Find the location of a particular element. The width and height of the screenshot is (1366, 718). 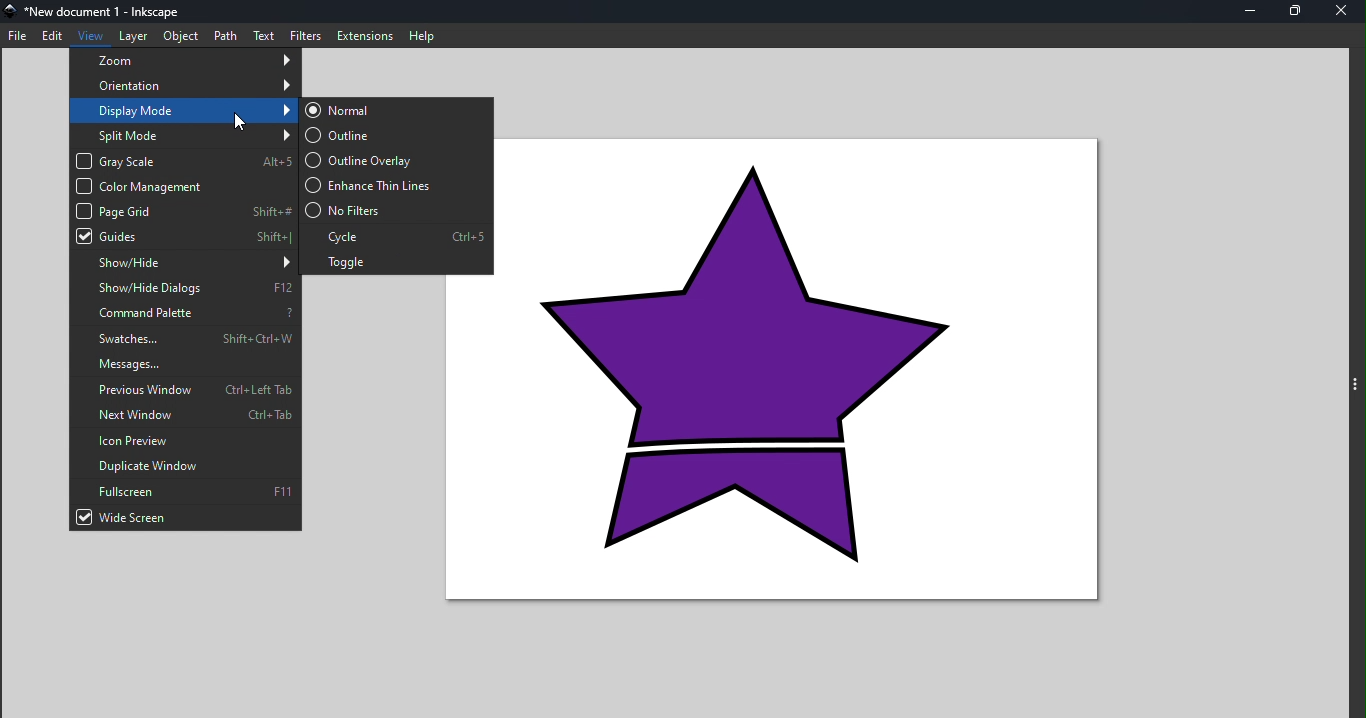

Layer is located at coordinates (132, 36).